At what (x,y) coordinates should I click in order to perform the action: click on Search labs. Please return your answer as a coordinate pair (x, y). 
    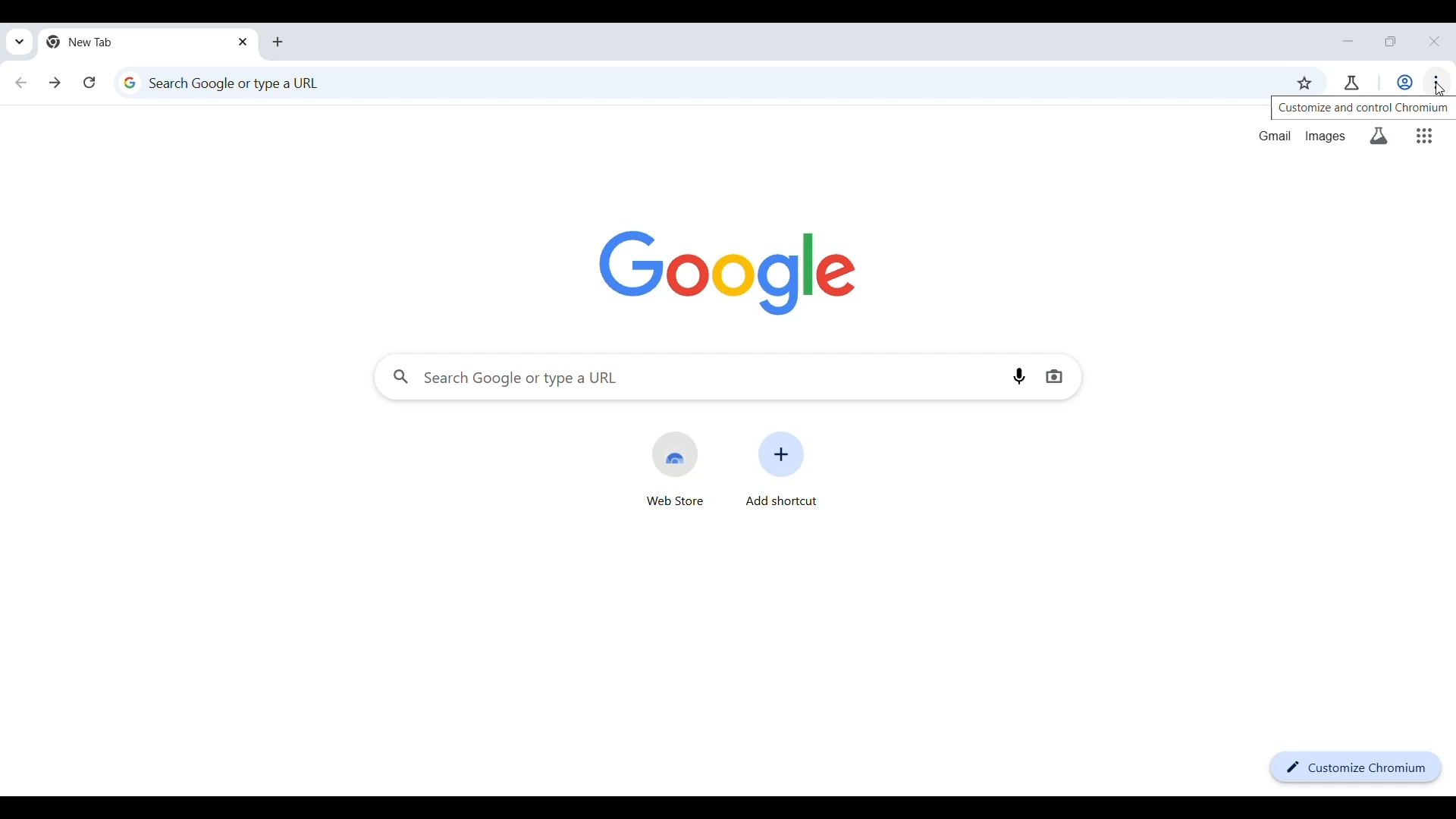
    Looking at the image, I should click on (1379, 136).